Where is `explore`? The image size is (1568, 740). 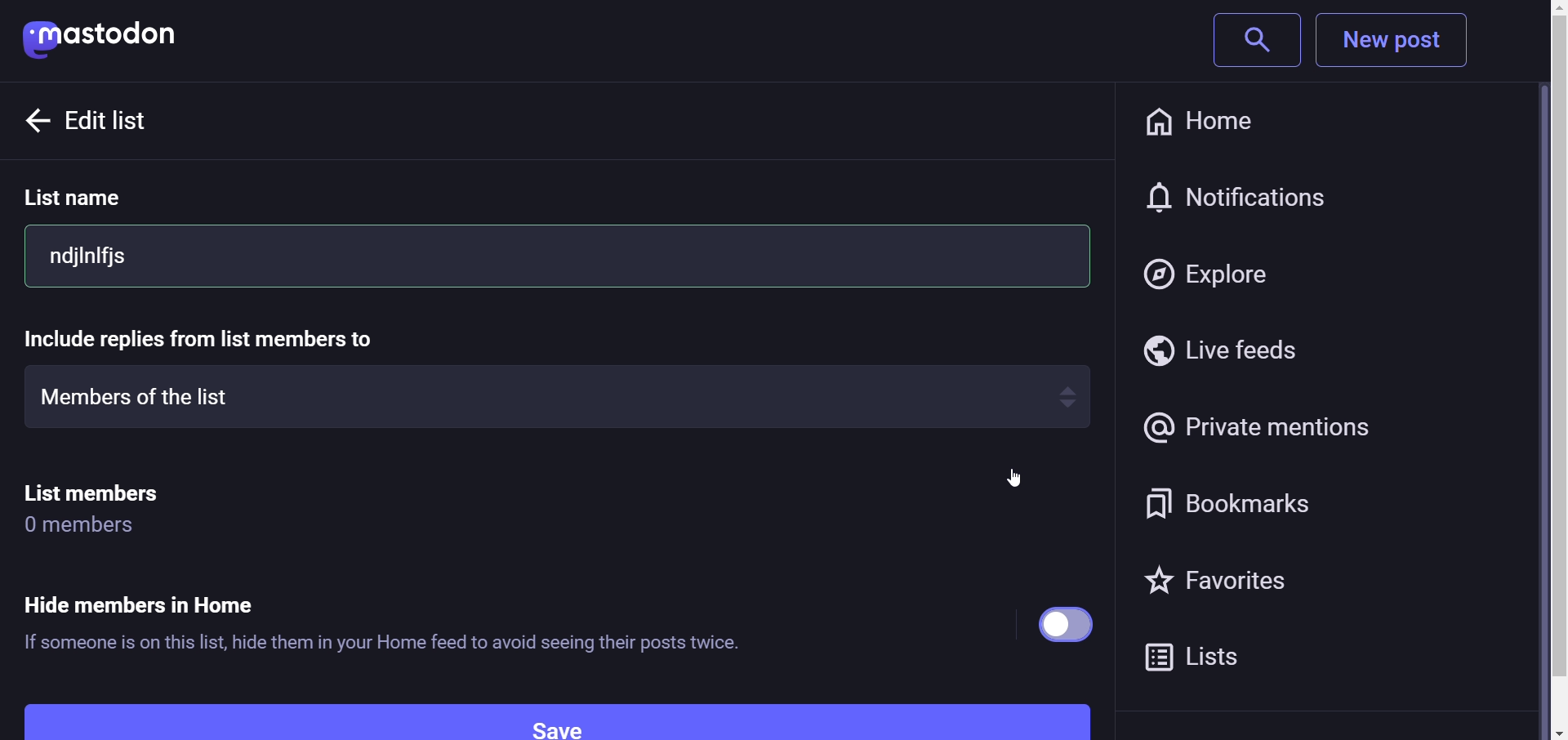
explore is located at coordinates (1211, 270).